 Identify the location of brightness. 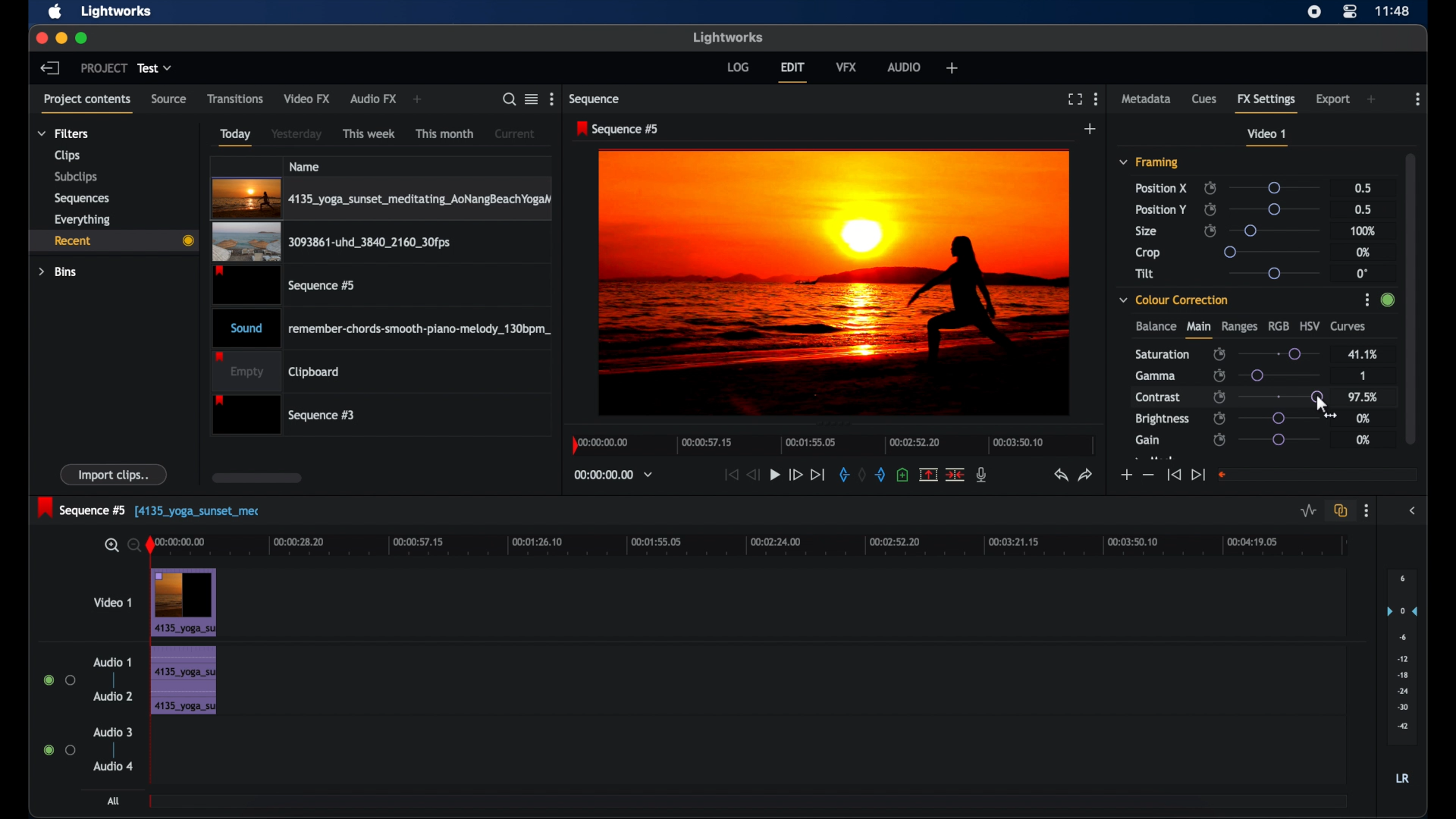
(1163, 419).